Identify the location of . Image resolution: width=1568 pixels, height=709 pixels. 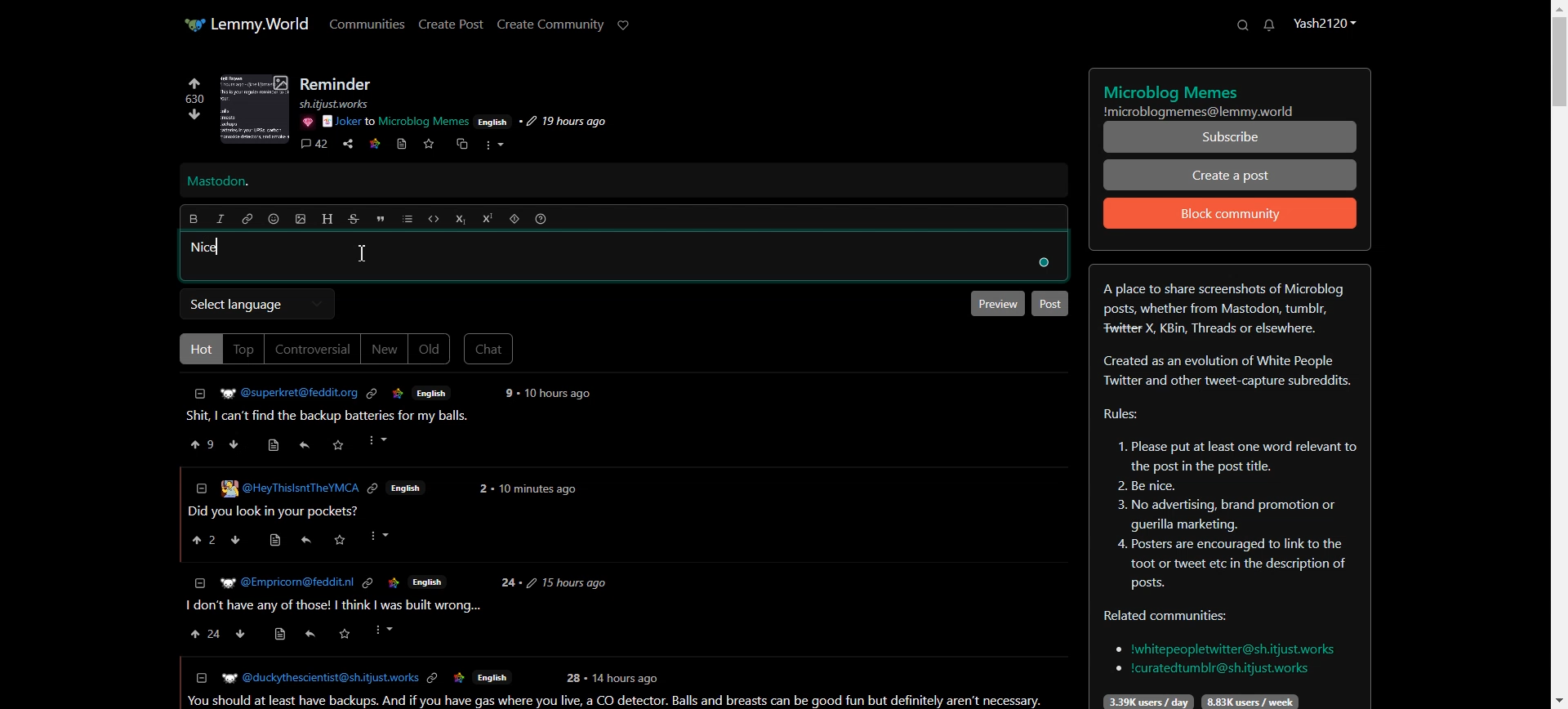
(1041, 263).